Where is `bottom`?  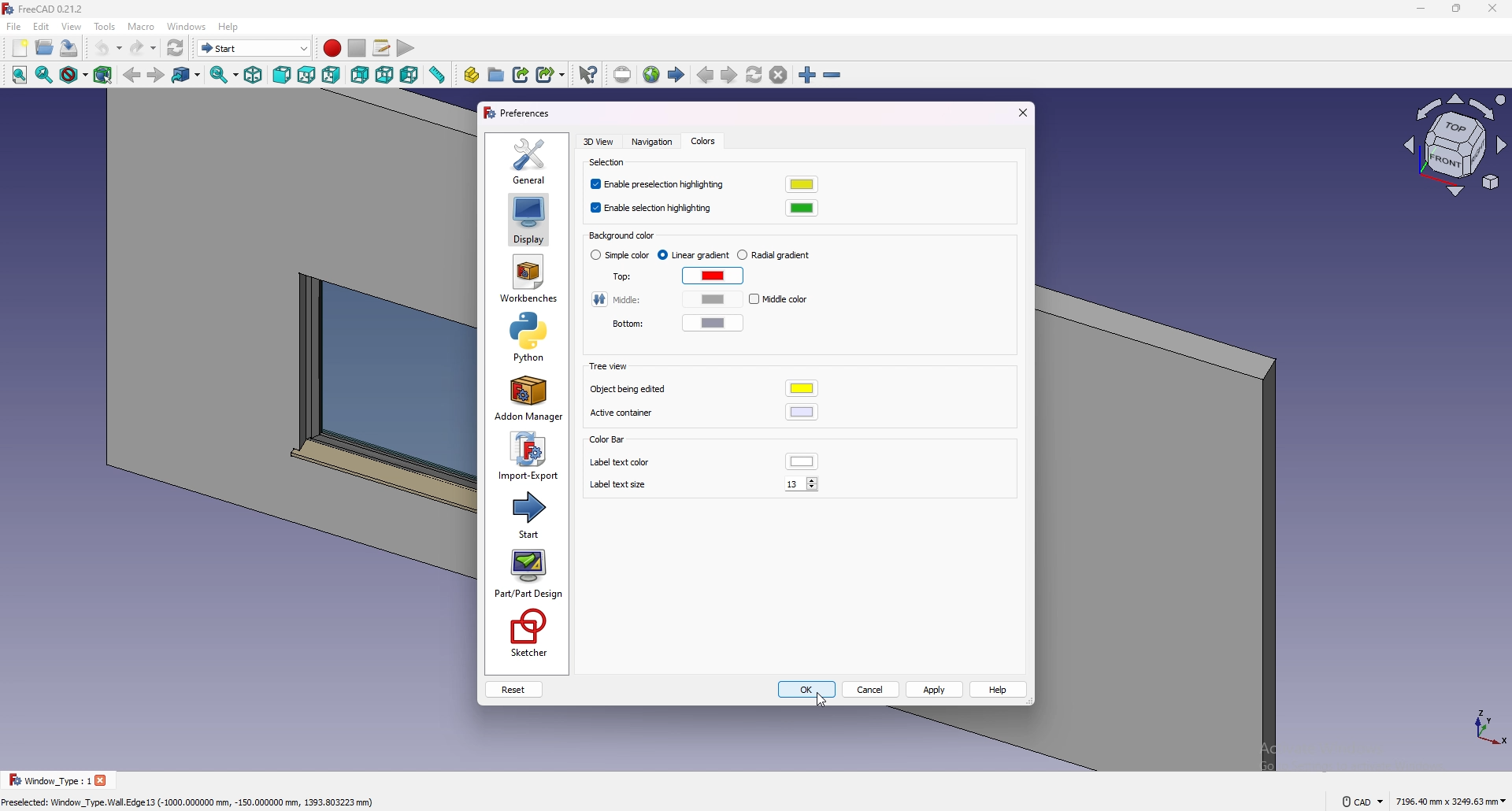
bottom is located at coordinates (621, 324).